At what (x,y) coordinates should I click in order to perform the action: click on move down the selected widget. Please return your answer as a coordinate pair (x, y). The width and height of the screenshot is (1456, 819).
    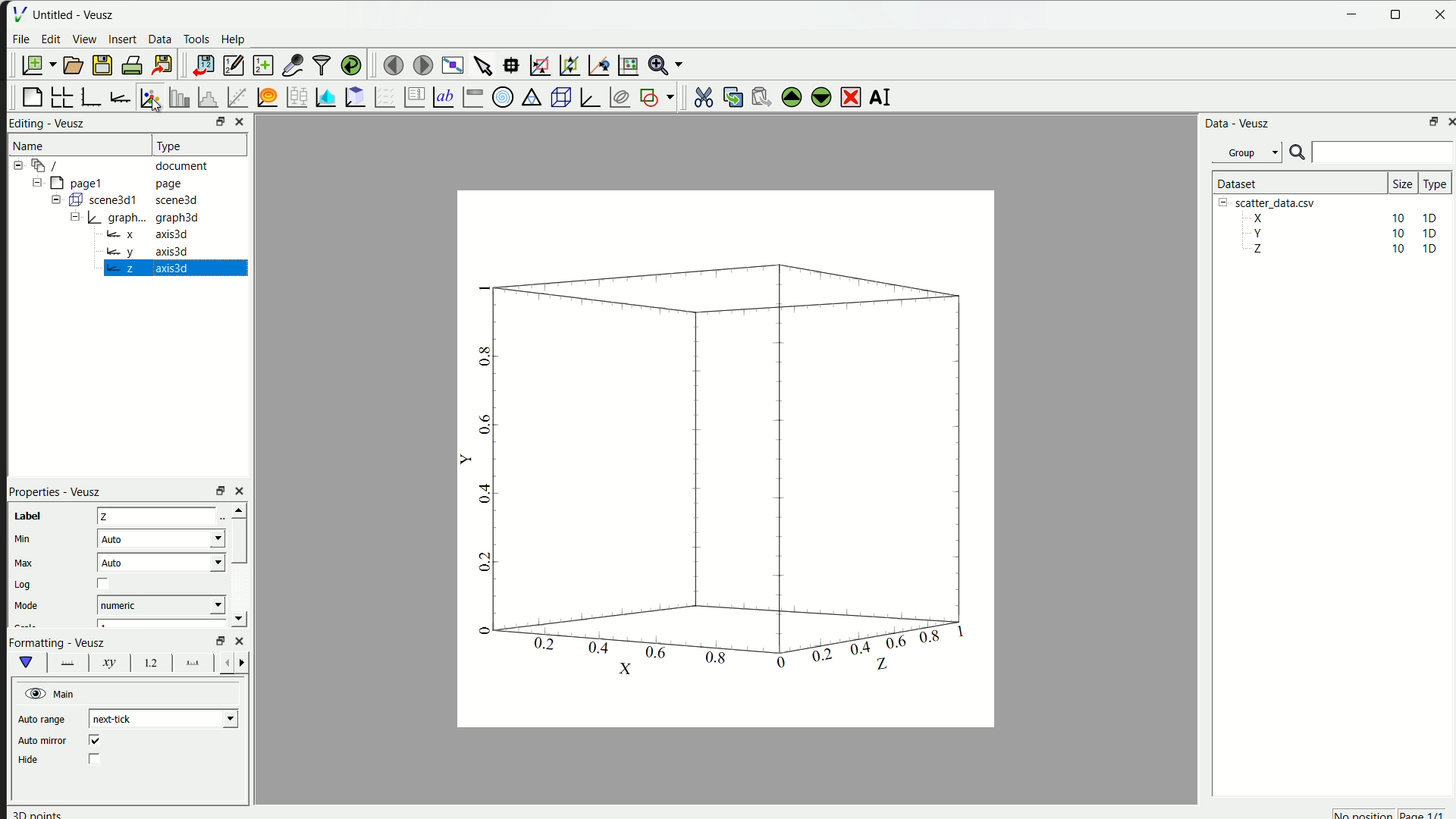
    Looking at the image, I should click on (820, 99).